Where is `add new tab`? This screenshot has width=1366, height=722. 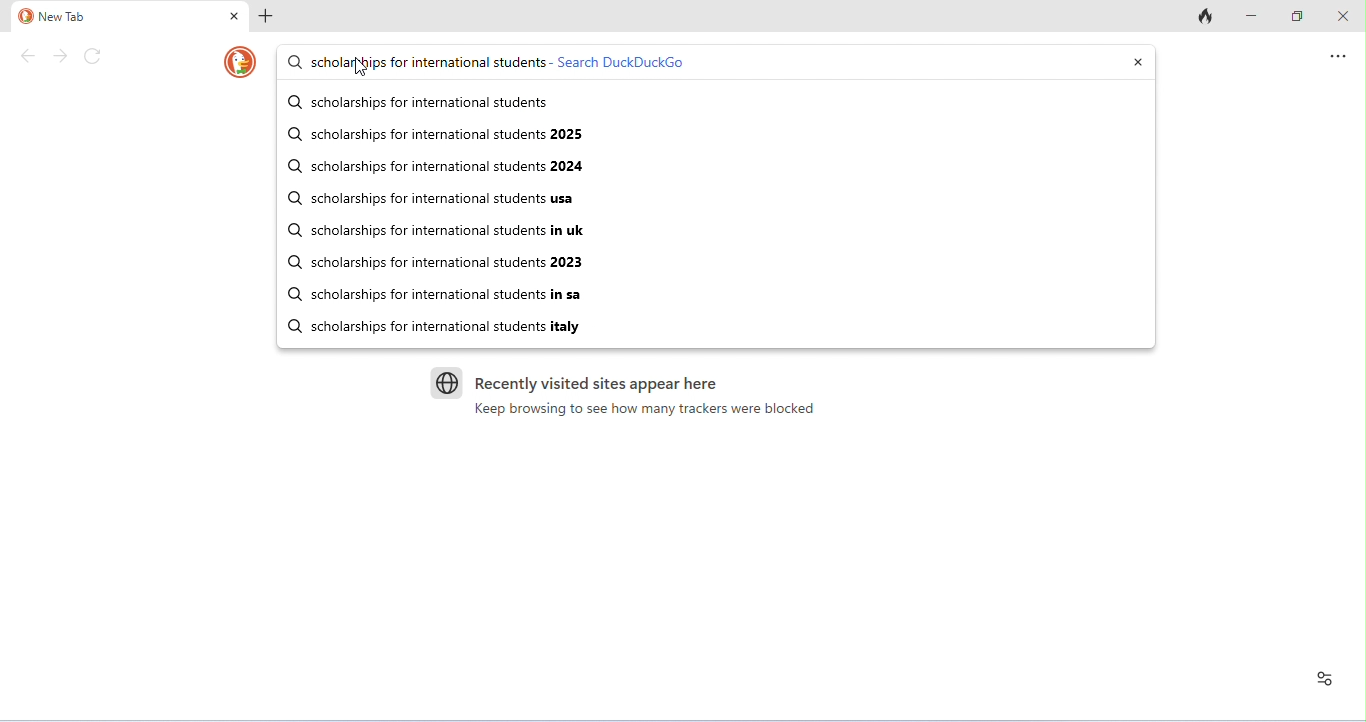 add new tab is located at coordinates (268, 18).